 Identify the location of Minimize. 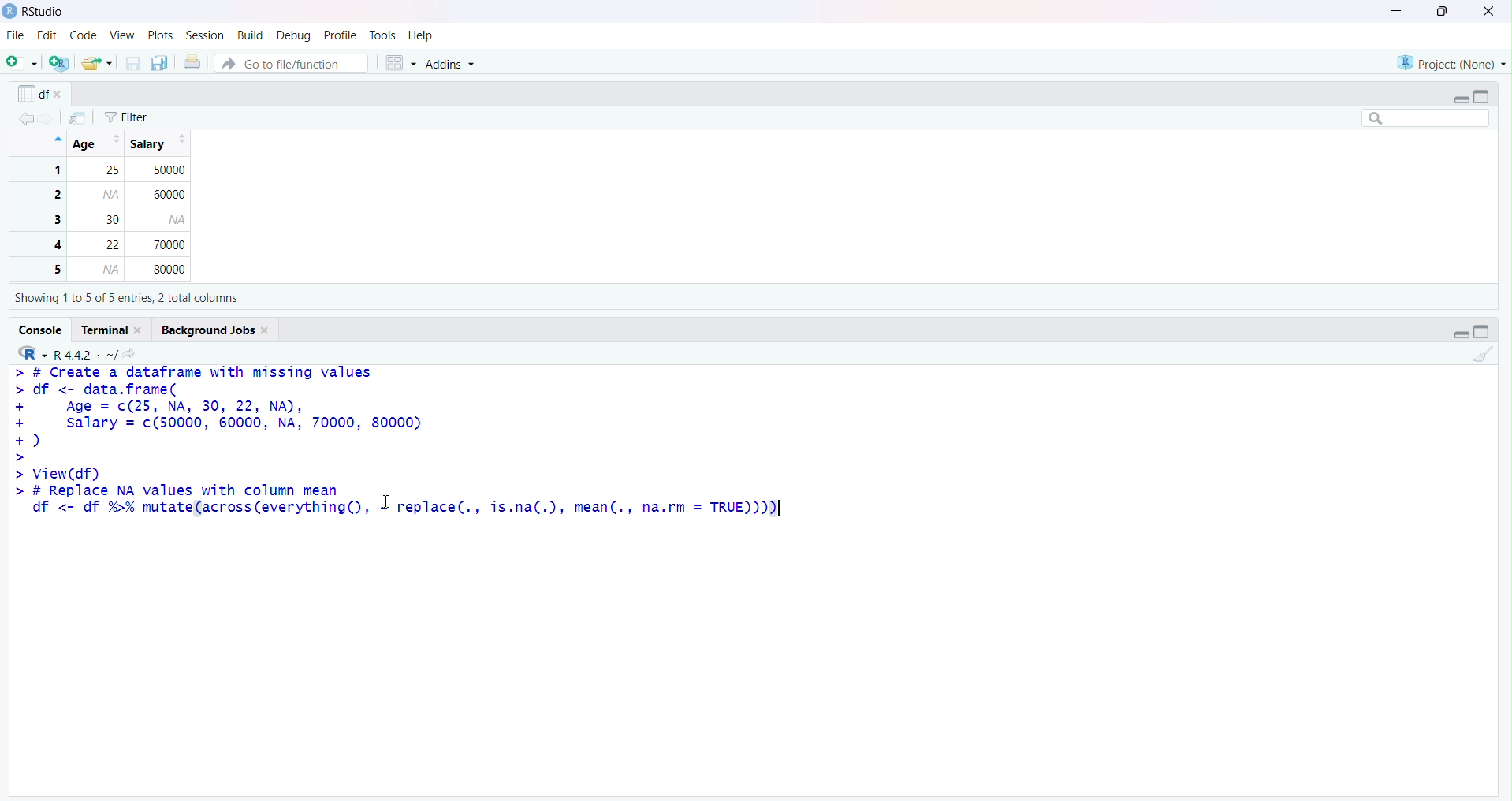
(1460, 333).